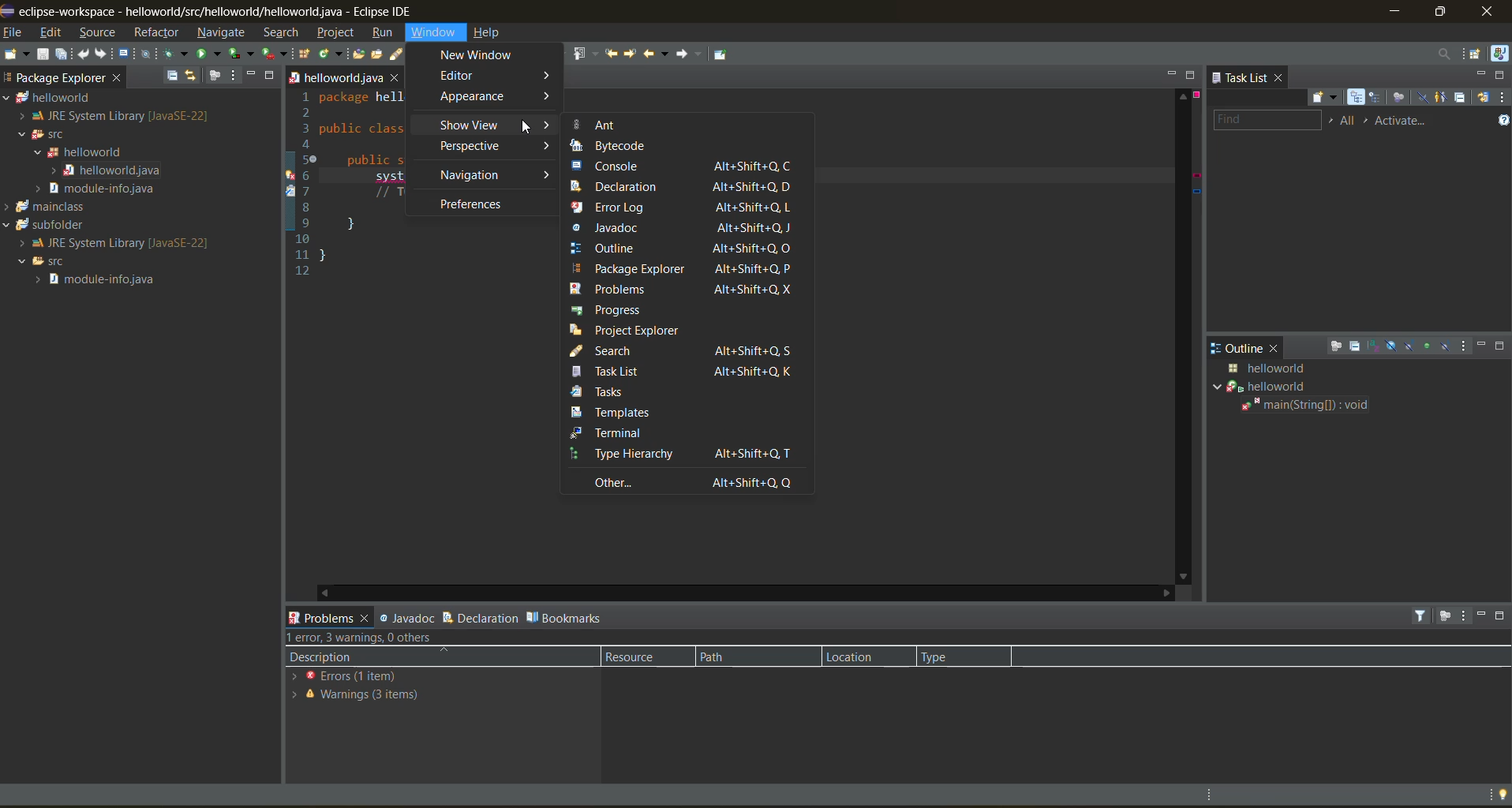 Image resolution: width=1512 pixels, height=808 pixels. Describe the element at coordinates (1484, 99) in the screenshot. I see `synchronize changed` at that location.